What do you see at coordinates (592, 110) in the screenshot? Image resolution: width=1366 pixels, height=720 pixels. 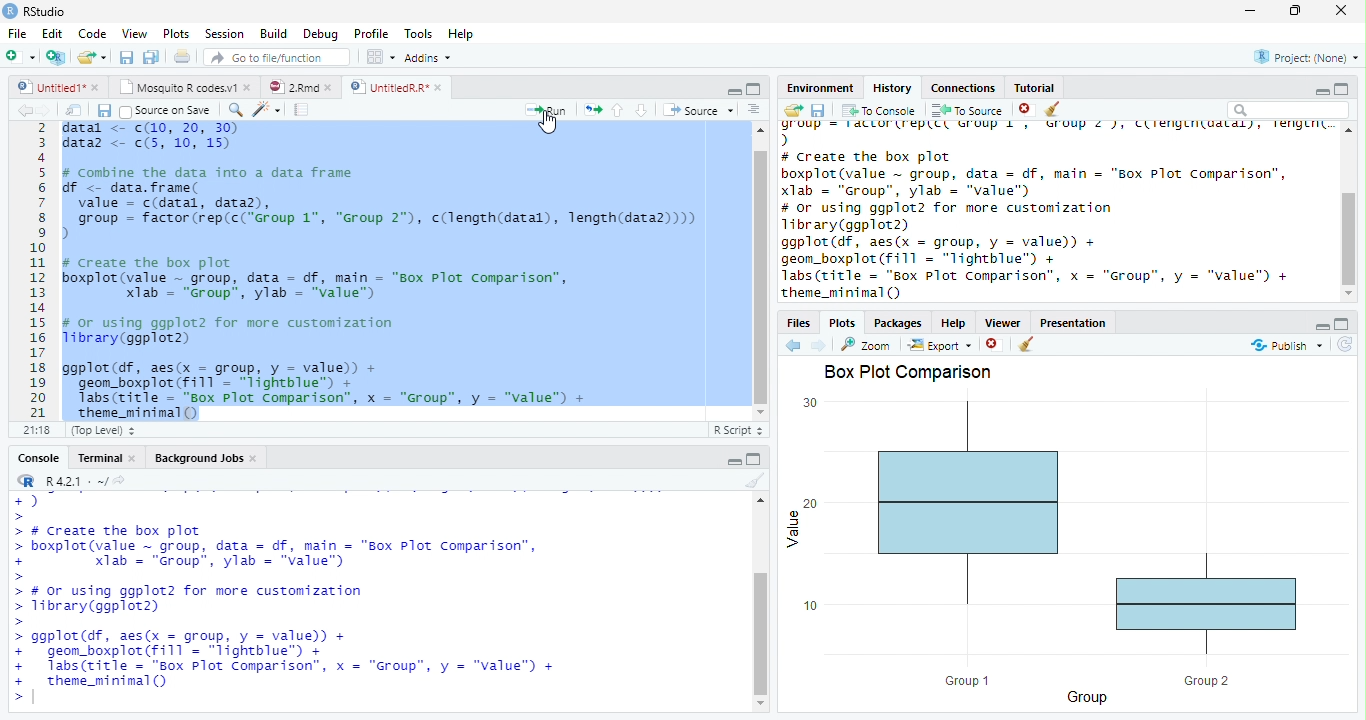 I see `Re-run the previous code region` at bounding box center [592, 110].